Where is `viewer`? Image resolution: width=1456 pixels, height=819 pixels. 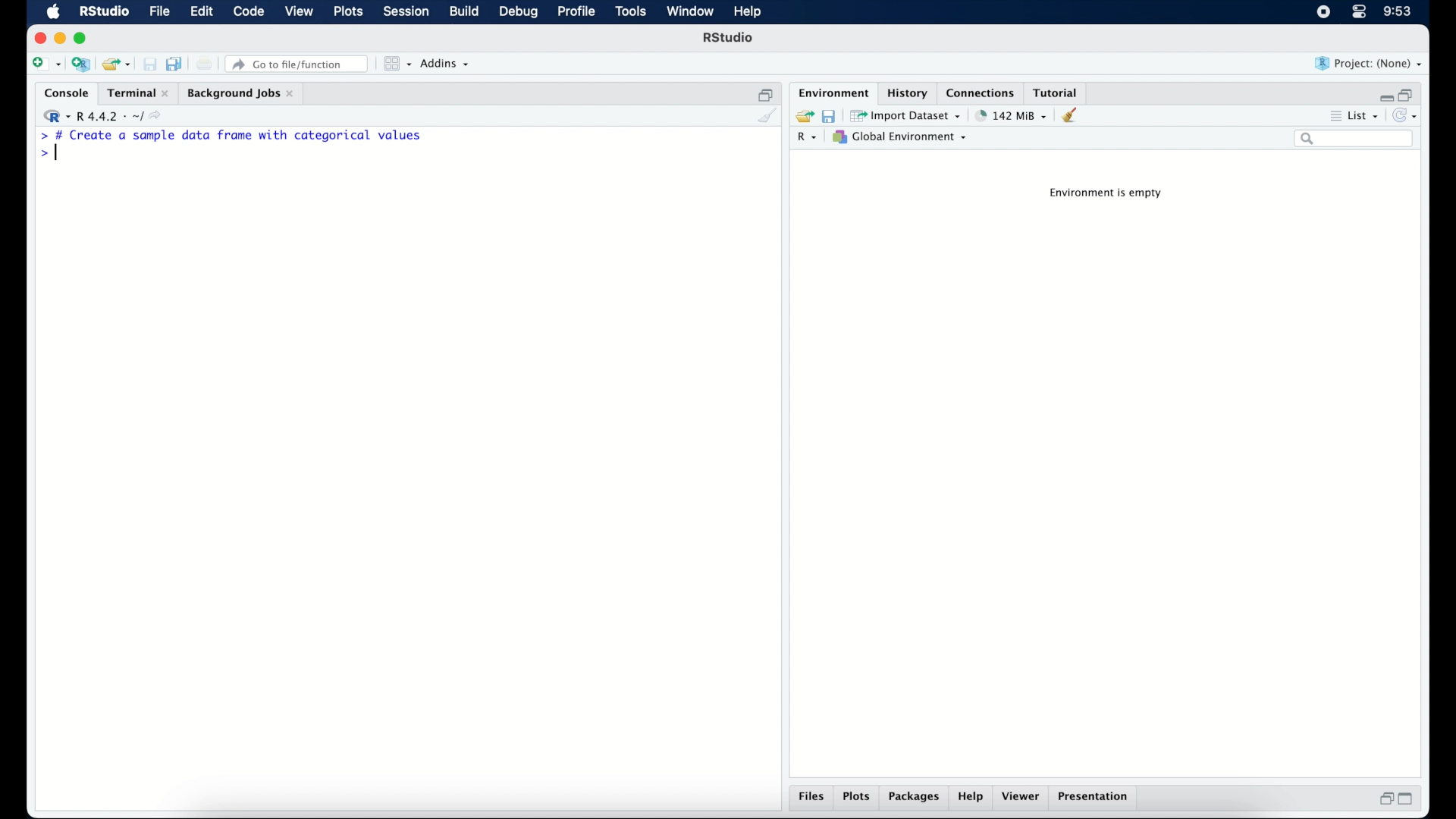
viewer is located at coordinates (1022, 798).